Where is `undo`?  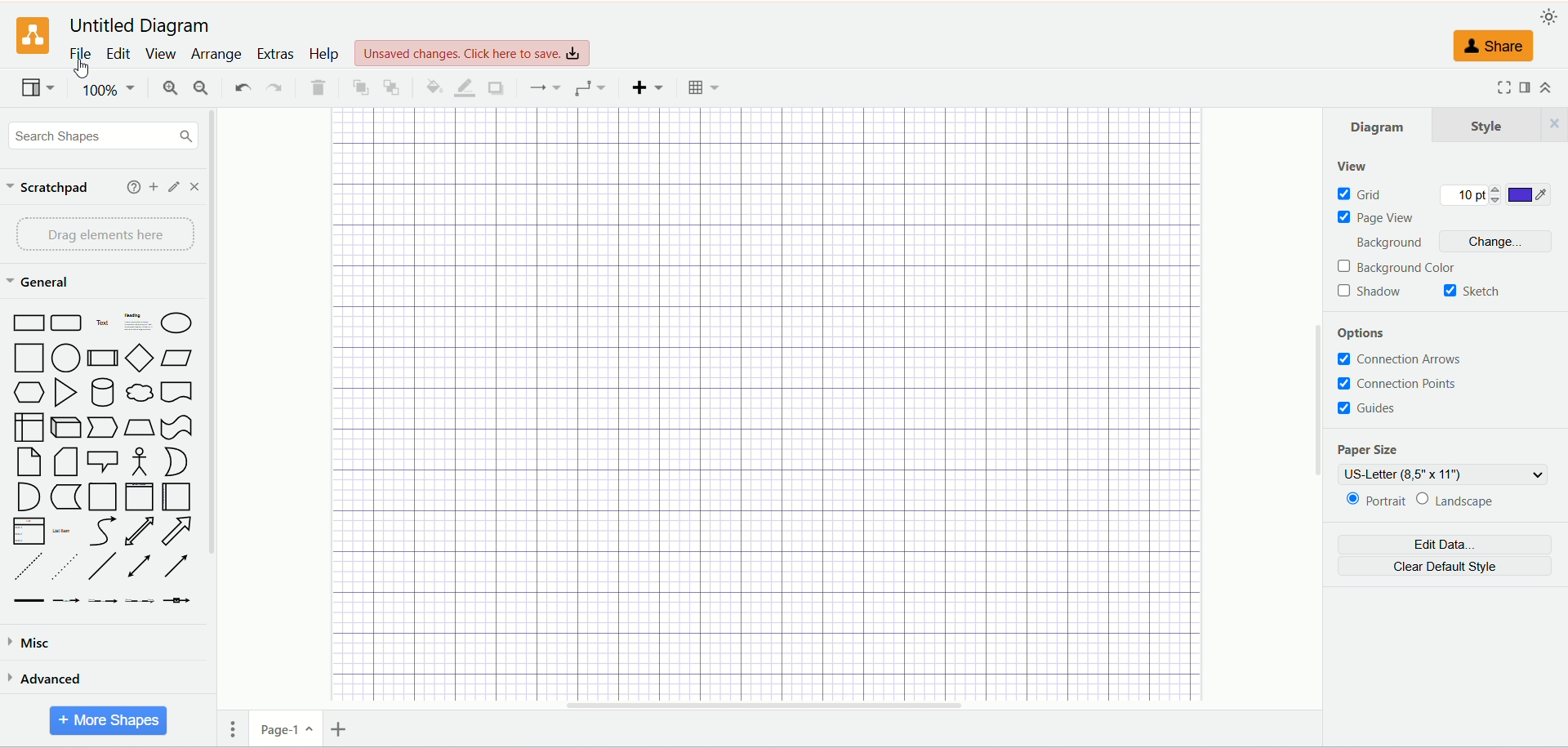
undo is located at coordinates (242, 87).